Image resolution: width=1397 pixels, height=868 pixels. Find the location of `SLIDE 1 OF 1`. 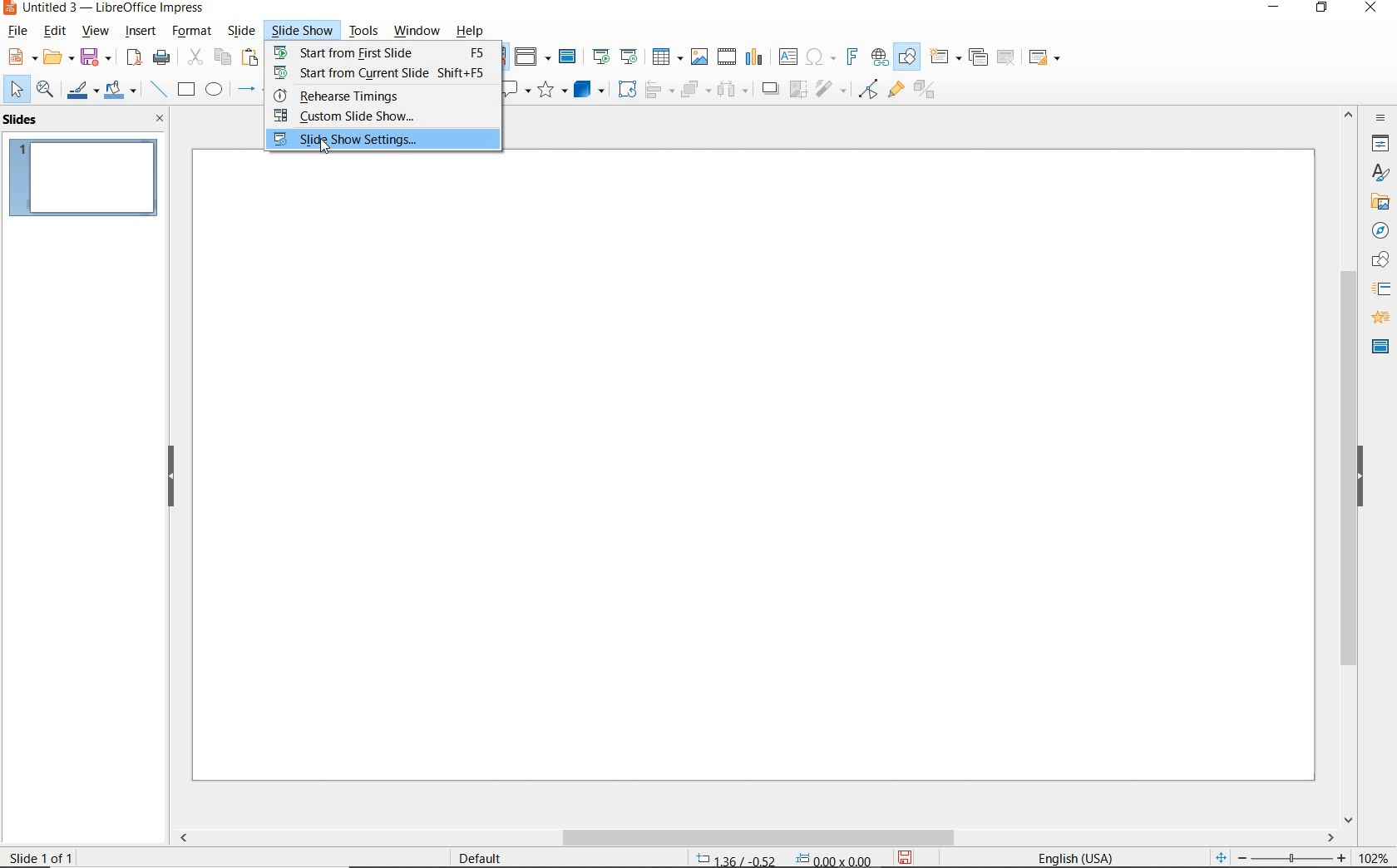

SLIDE 1 OF 1 is located at coordinates (40, 857).